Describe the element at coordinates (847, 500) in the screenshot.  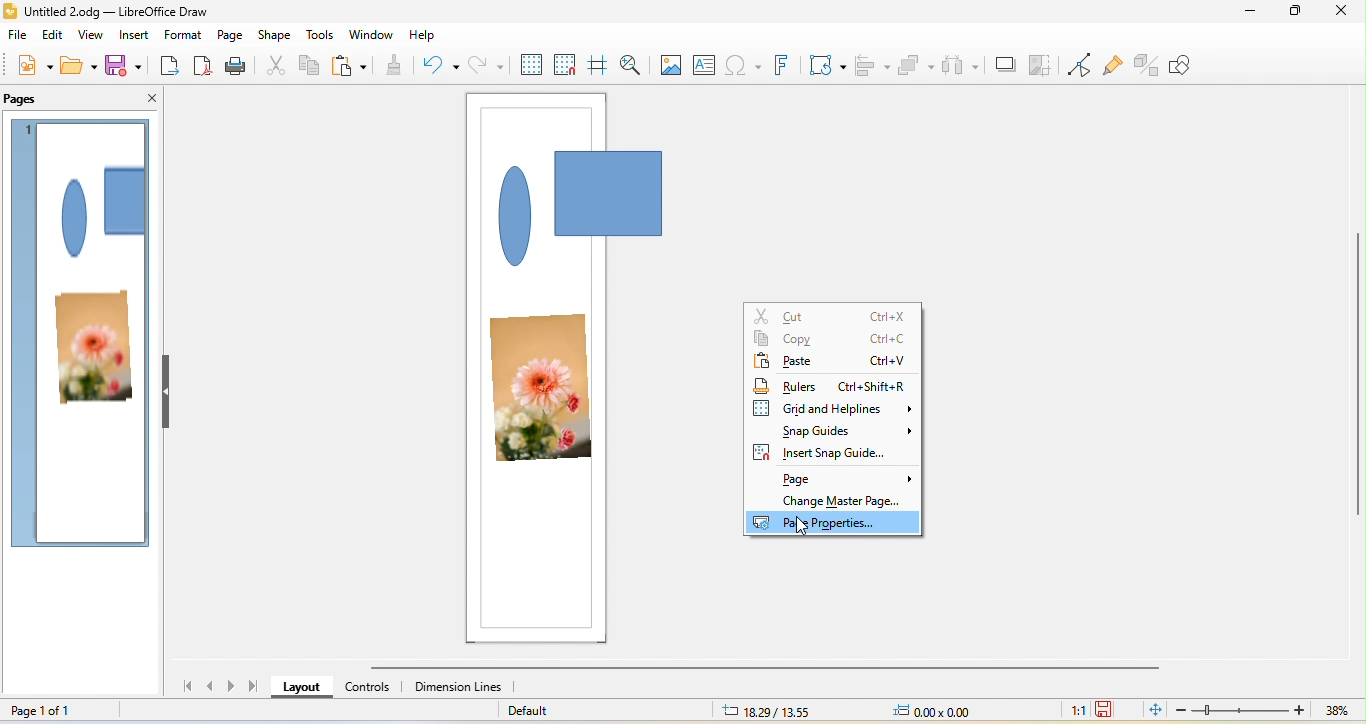
I see `change master page` at that location.